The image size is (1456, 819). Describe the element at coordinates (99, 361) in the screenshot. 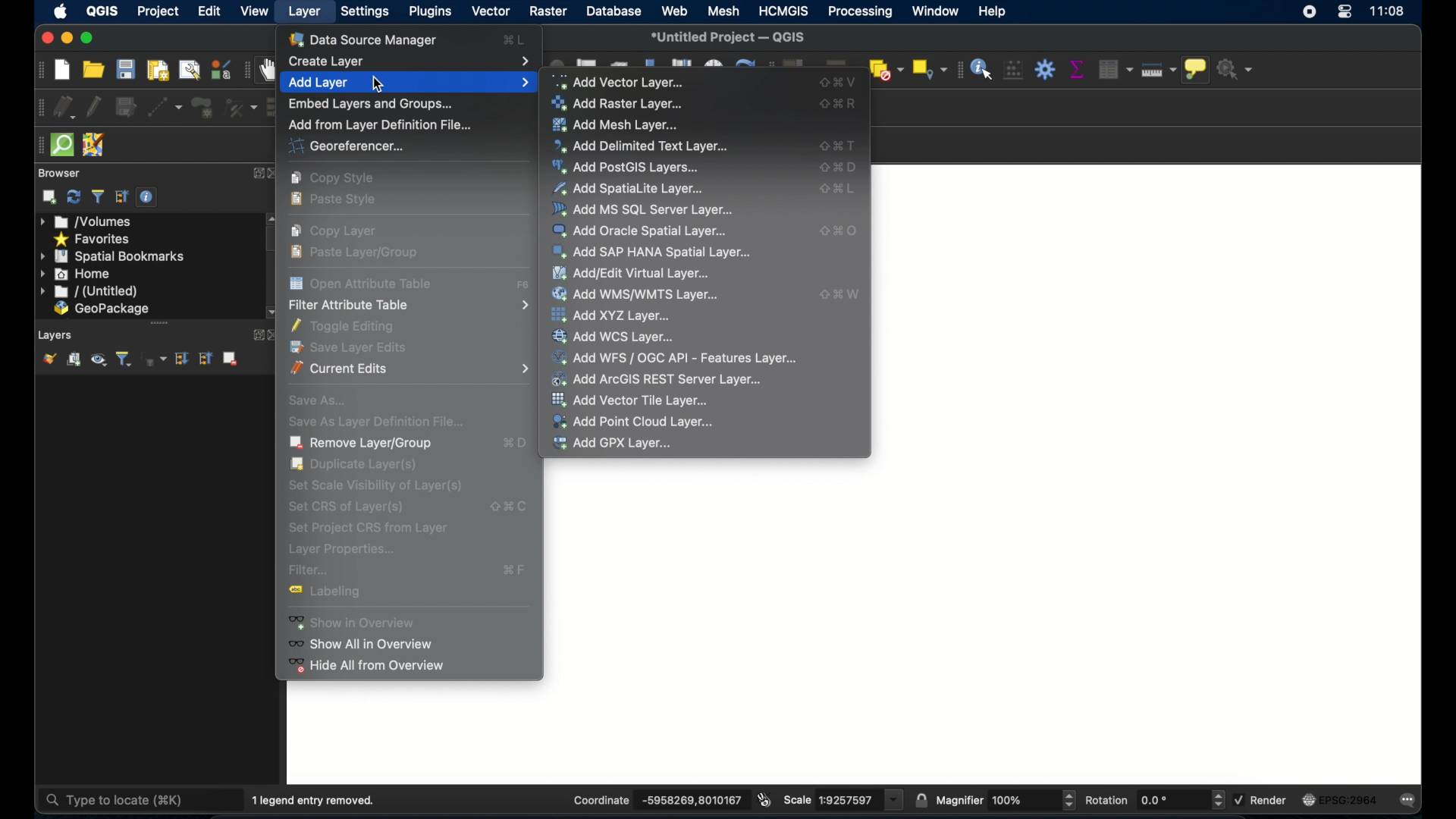

I see `manage map theme` at that location.